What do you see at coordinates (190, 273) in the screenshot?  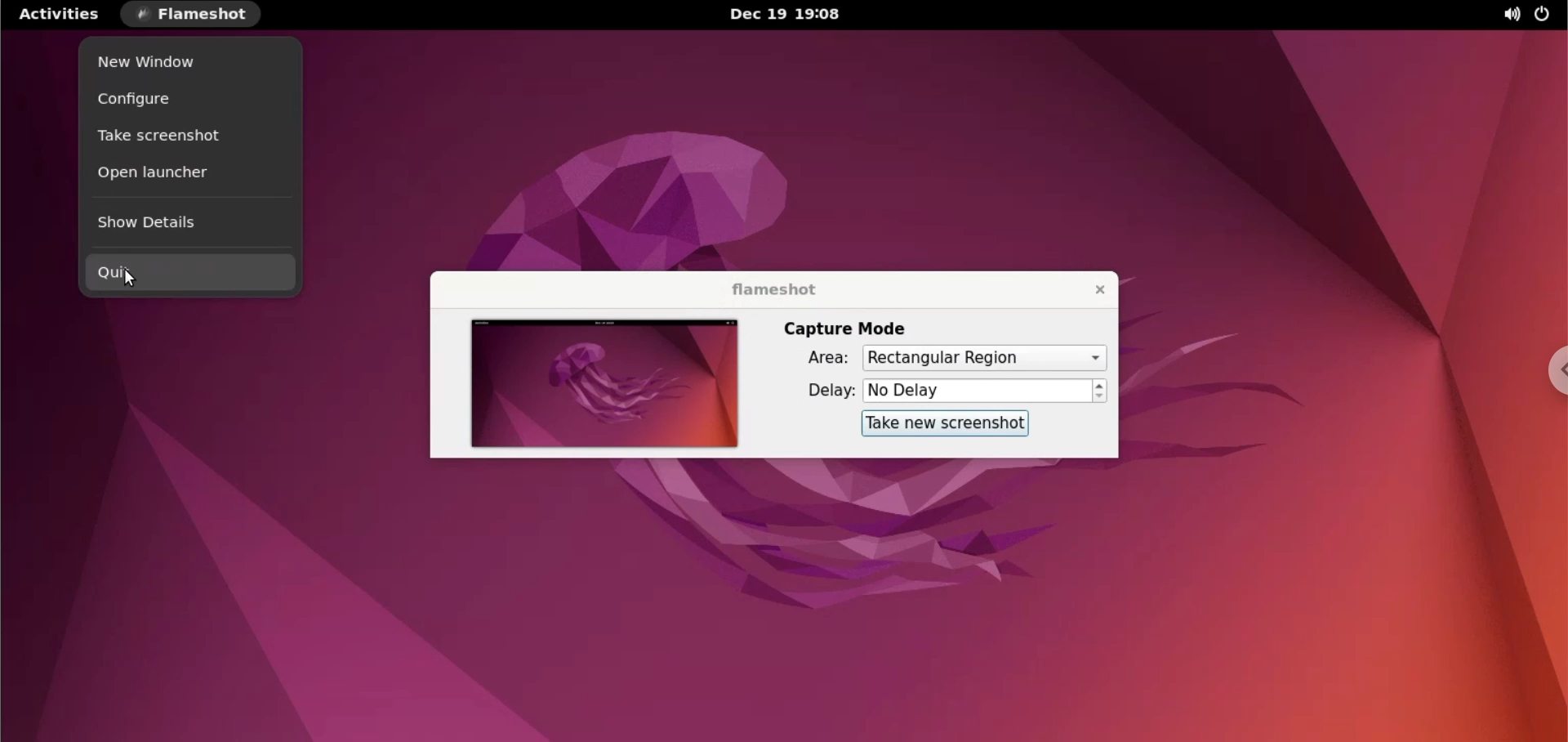 I see `quit` at bounding box center [190, 273].